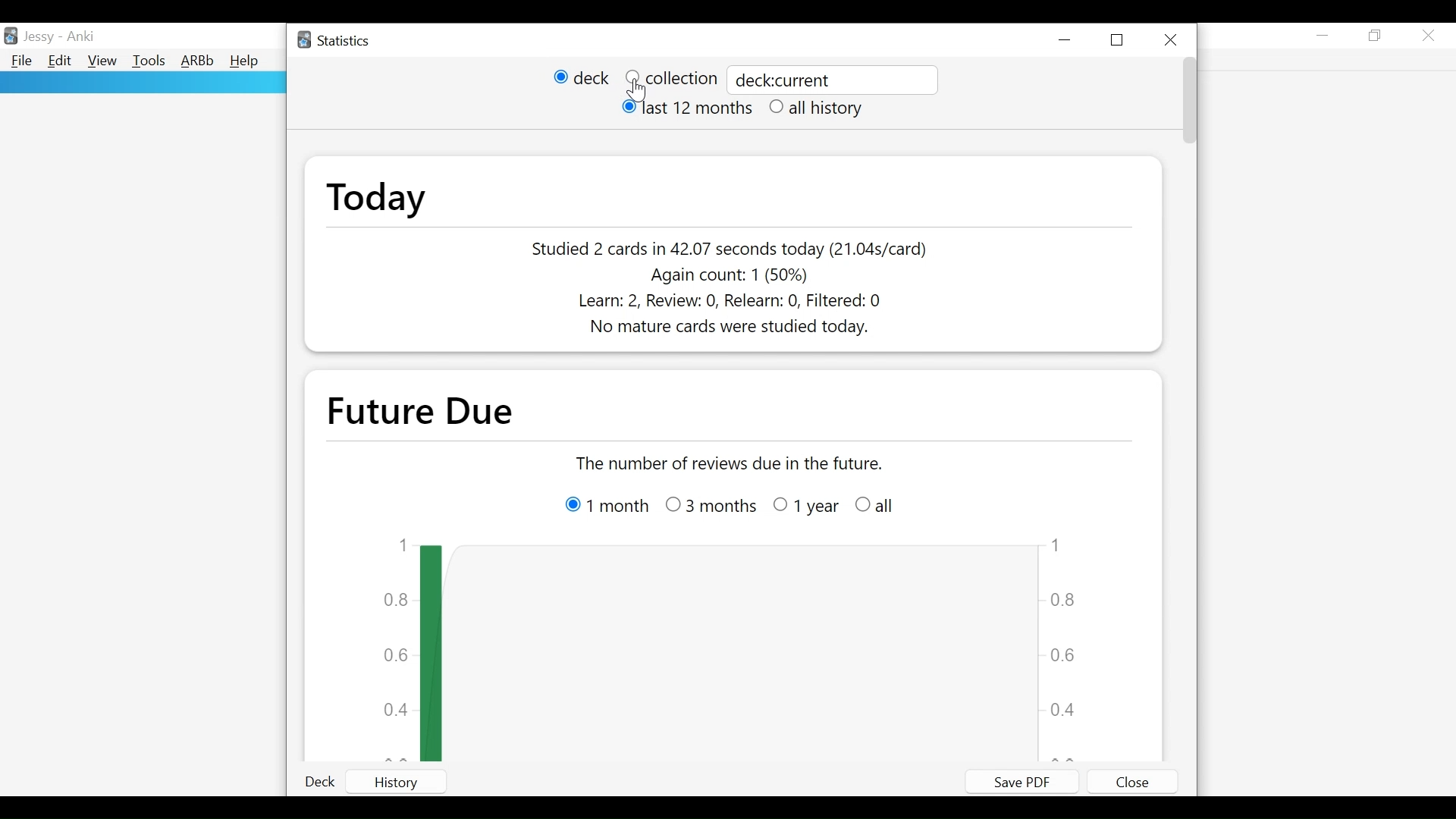 This screenshot has width=1456, height=819. What do you see at coordinates (325, 783) in the screenshot?
I see `Deck` at bounding box center [325, 783].